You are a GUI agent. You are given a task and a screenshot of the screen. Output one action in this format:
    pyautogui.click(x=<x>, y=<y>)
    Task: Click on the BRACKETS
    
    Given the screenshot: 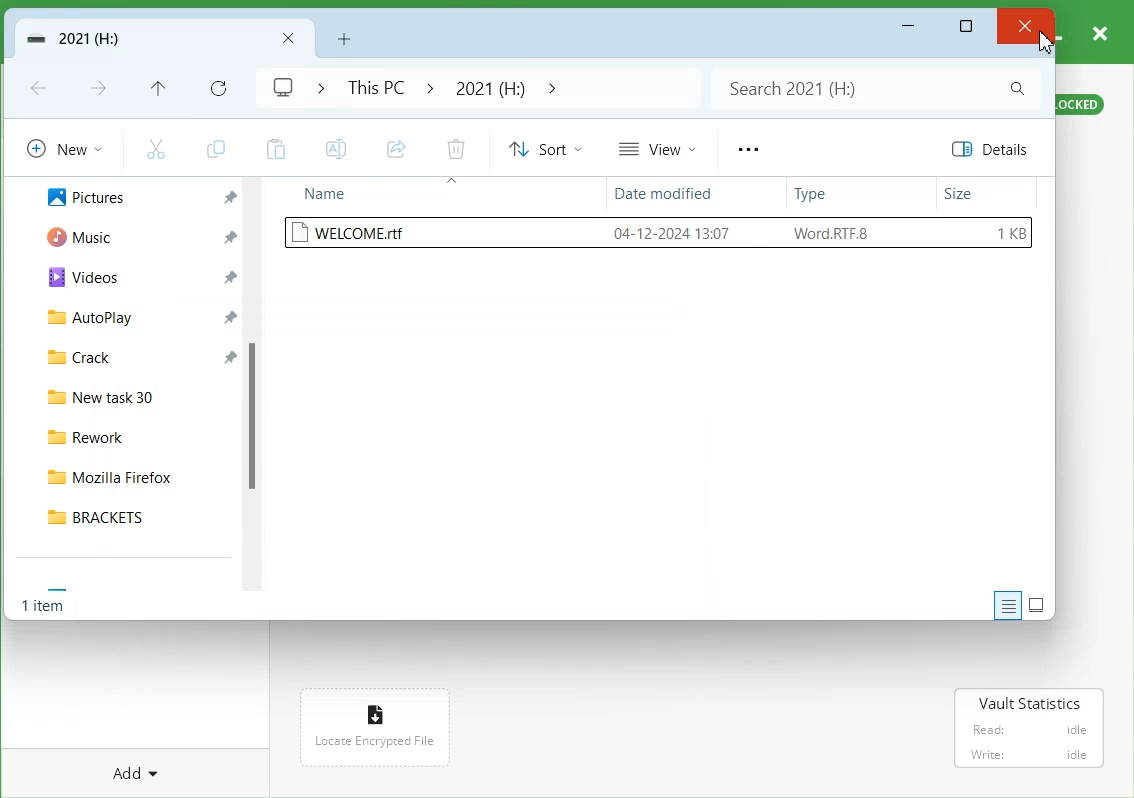 What is the action you would take?
    pyautogui.click(x=135, y=516)
    